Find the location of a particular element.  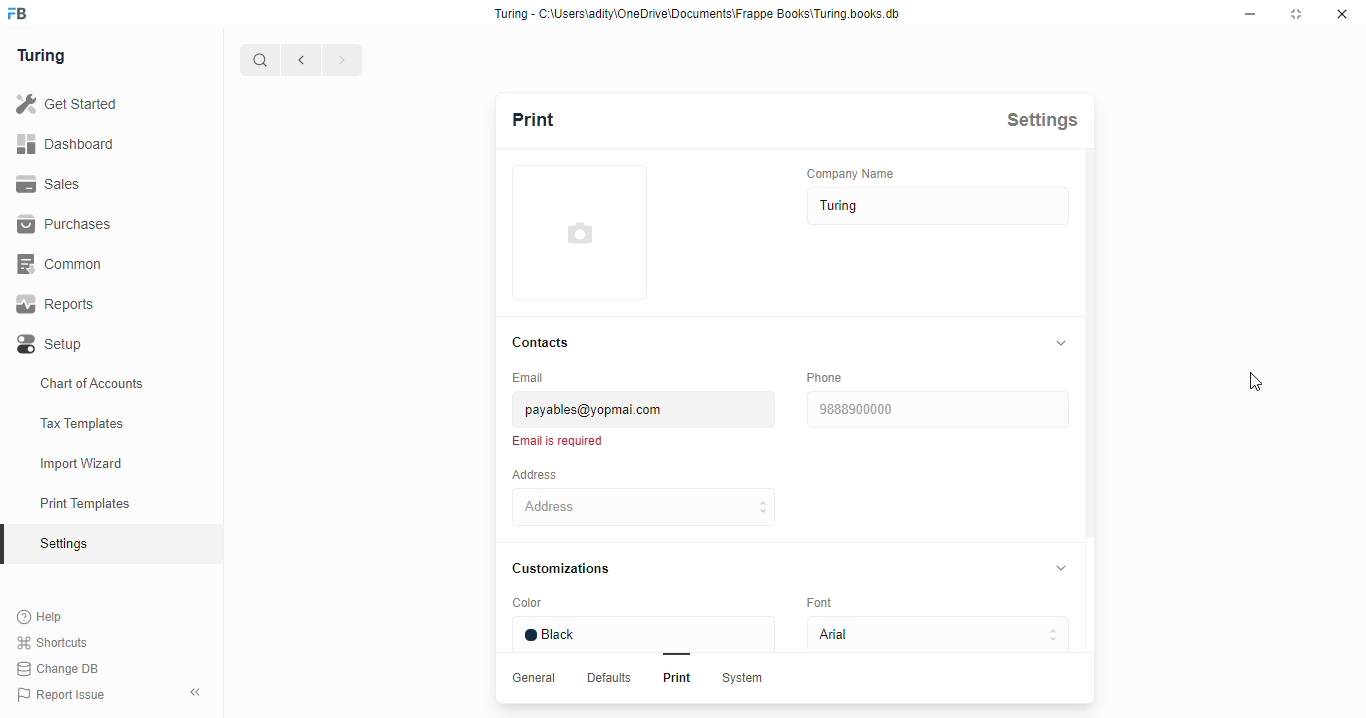

payables@yopmai.com is located at coordinates (647, 410).